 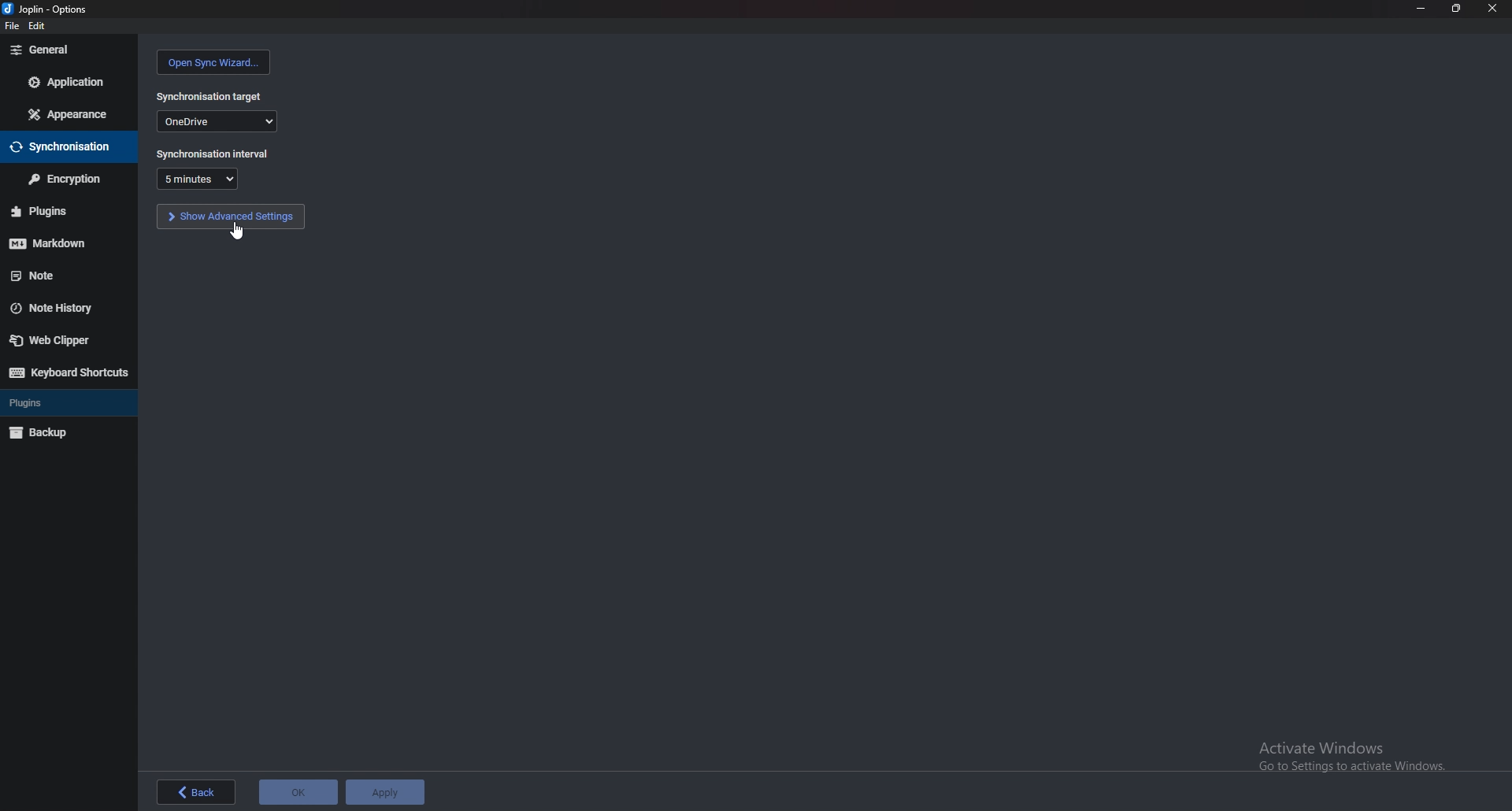 What do you see at coordinates (71, 113) in the screenshot?
I see `appearance` at bounding box center [71, 113].